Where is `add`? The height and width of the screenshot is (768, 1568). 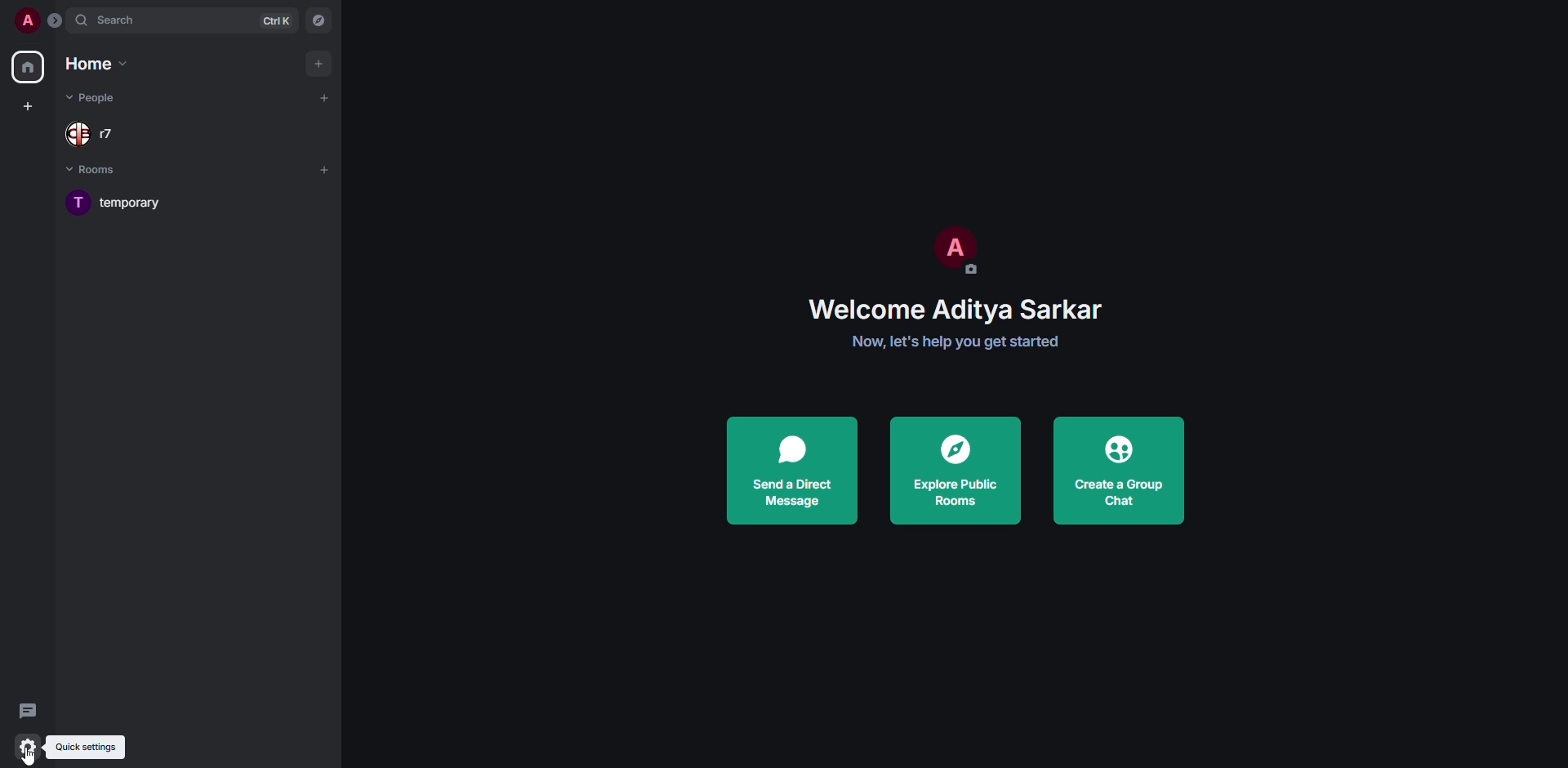 add is located at coordinates (317, 64).